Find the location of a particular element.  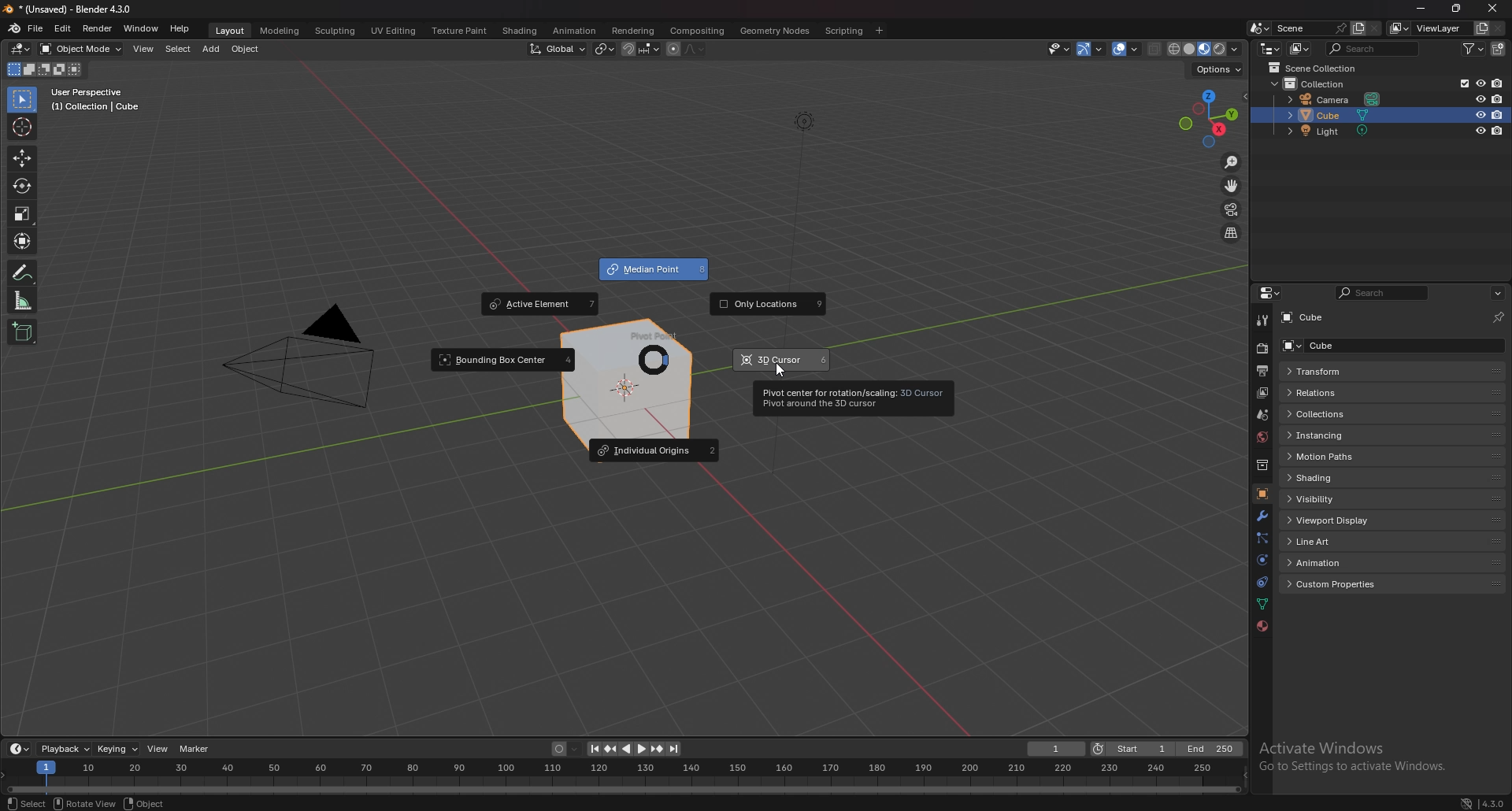

add viewlayer is located at coordinates (1480, 28).